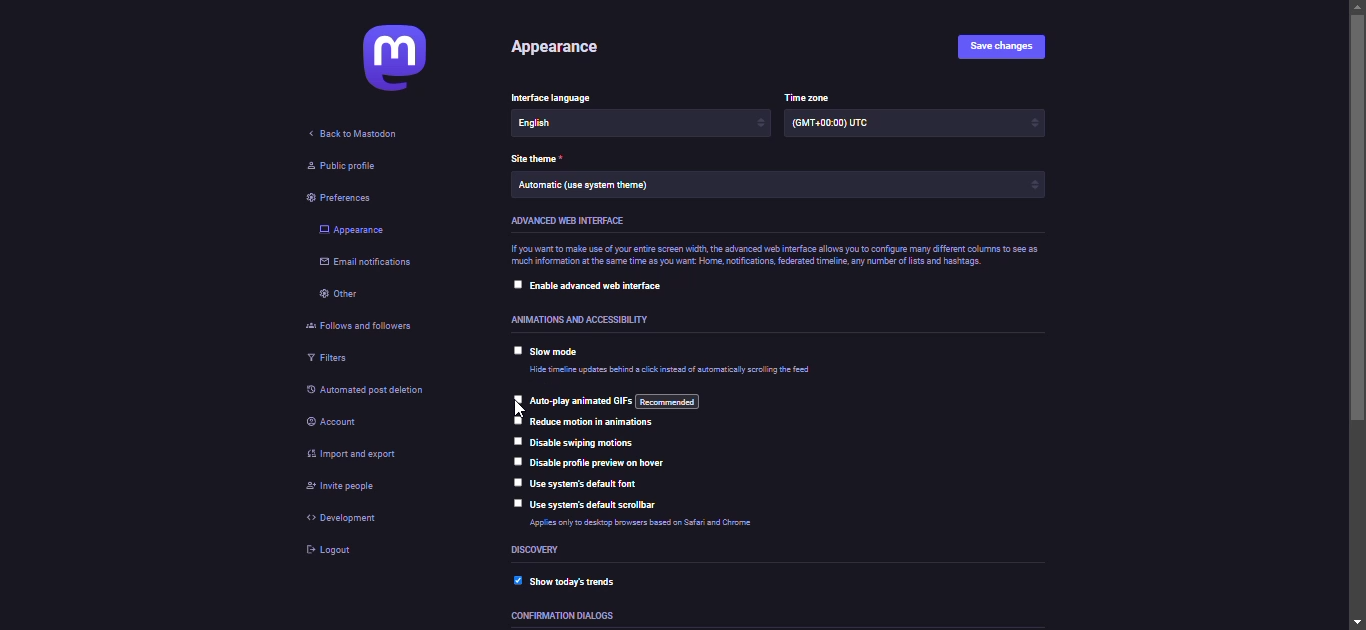 This screenshot has height=630, width=1366. Describe the element at coordinates (518, 419) in the screenshot. I see `click to select` at that location.